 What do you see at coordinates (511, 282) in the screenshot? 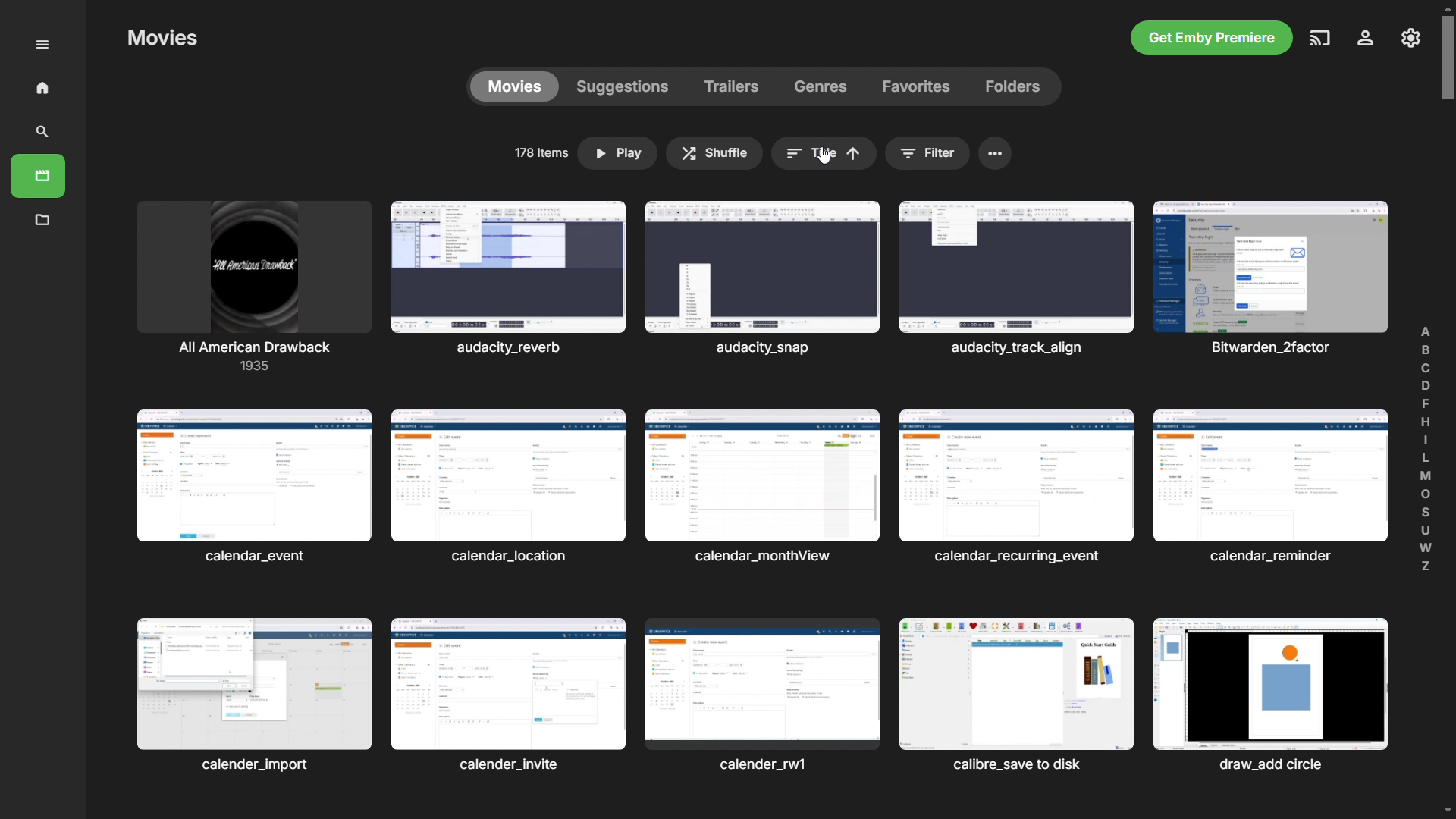
I see `` at bounding box center [511, 282].